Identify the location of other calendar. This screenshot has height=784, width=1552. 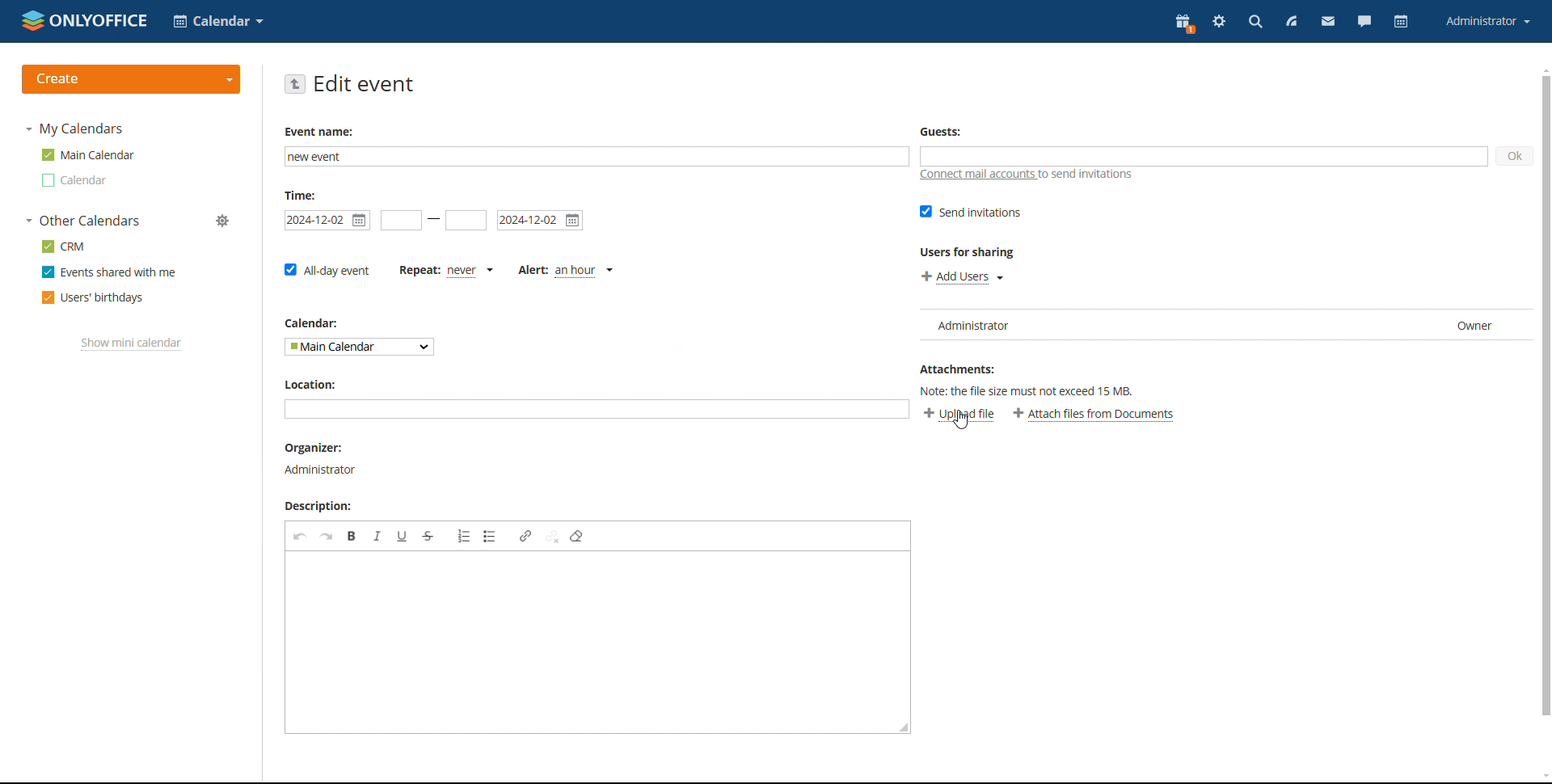
(72, 180).